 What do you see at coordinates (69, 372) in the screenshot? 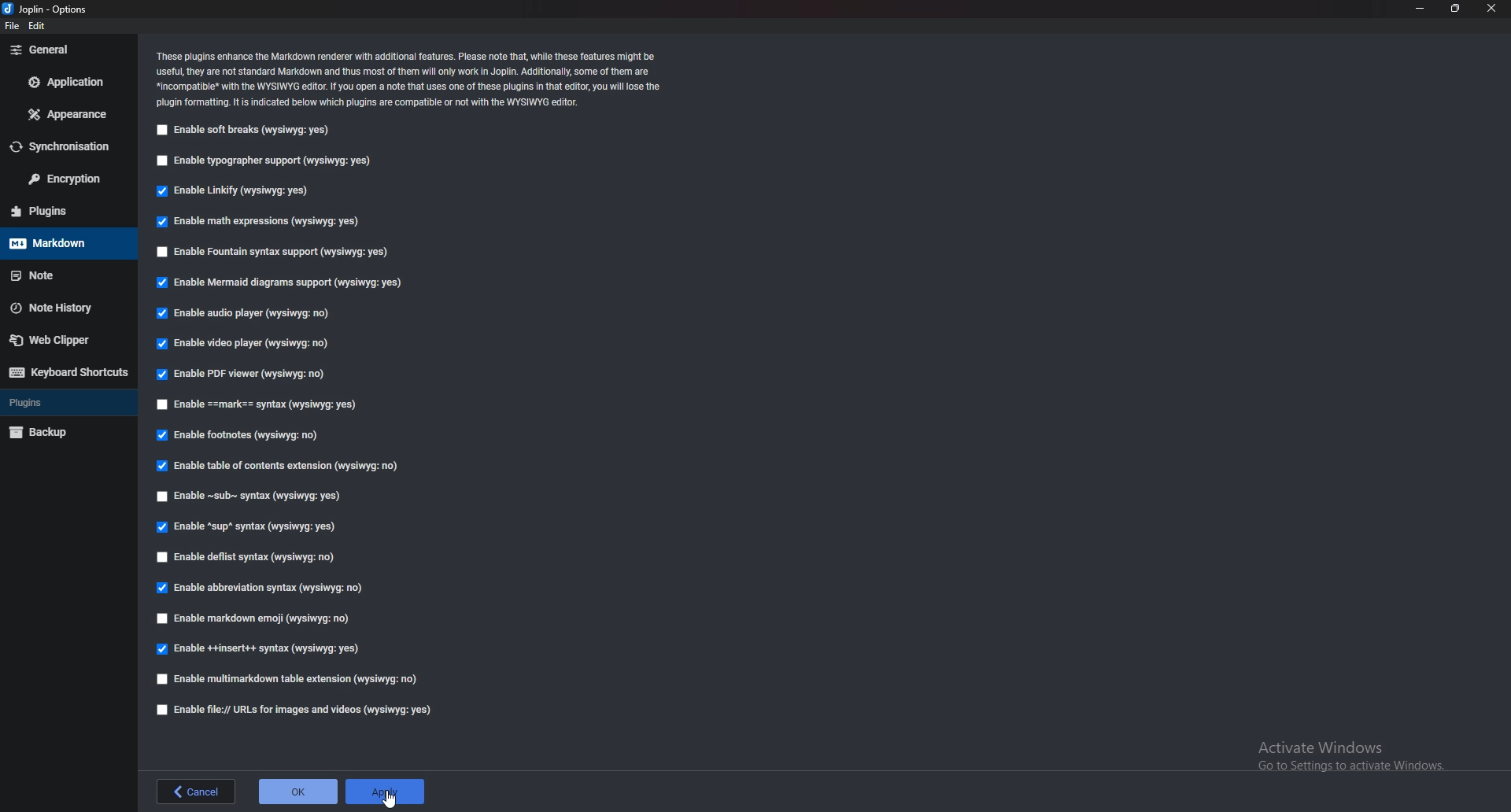
I see `Keyboard shortcuts` at bounding box center [69, 372].